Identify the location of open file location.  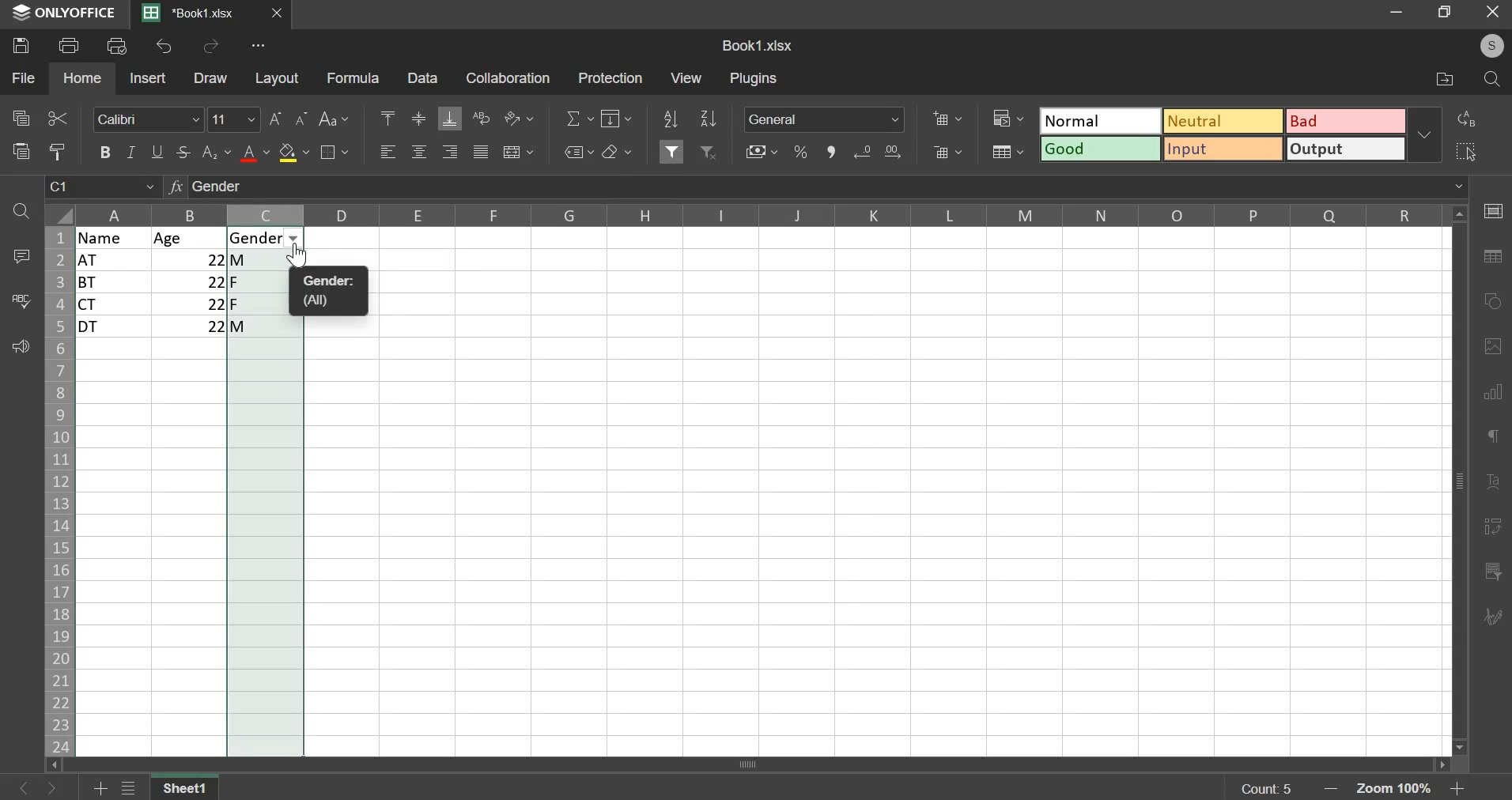
(1447, 80).